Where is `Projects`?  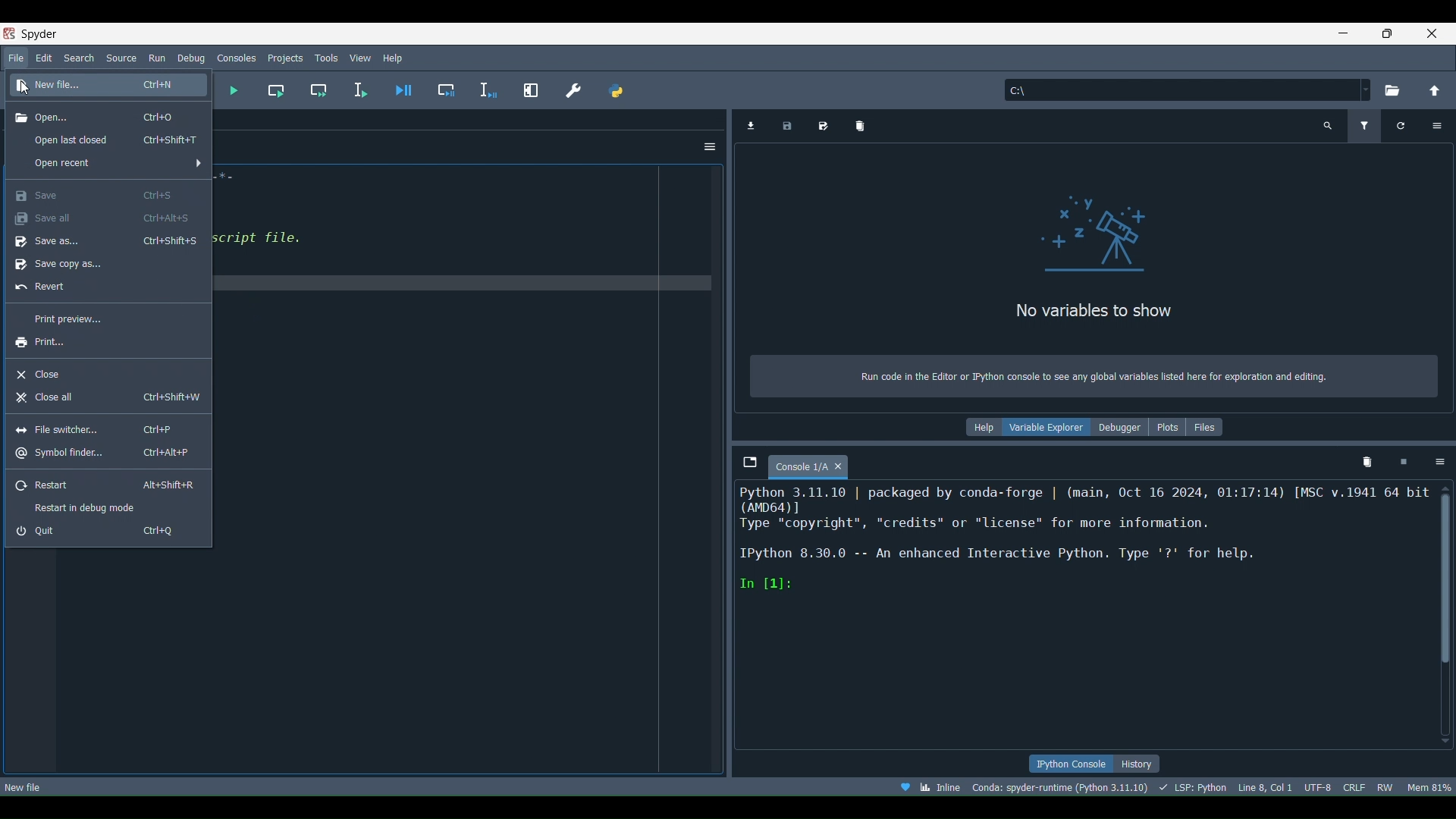 Projects is located at coordinates (286, 55).